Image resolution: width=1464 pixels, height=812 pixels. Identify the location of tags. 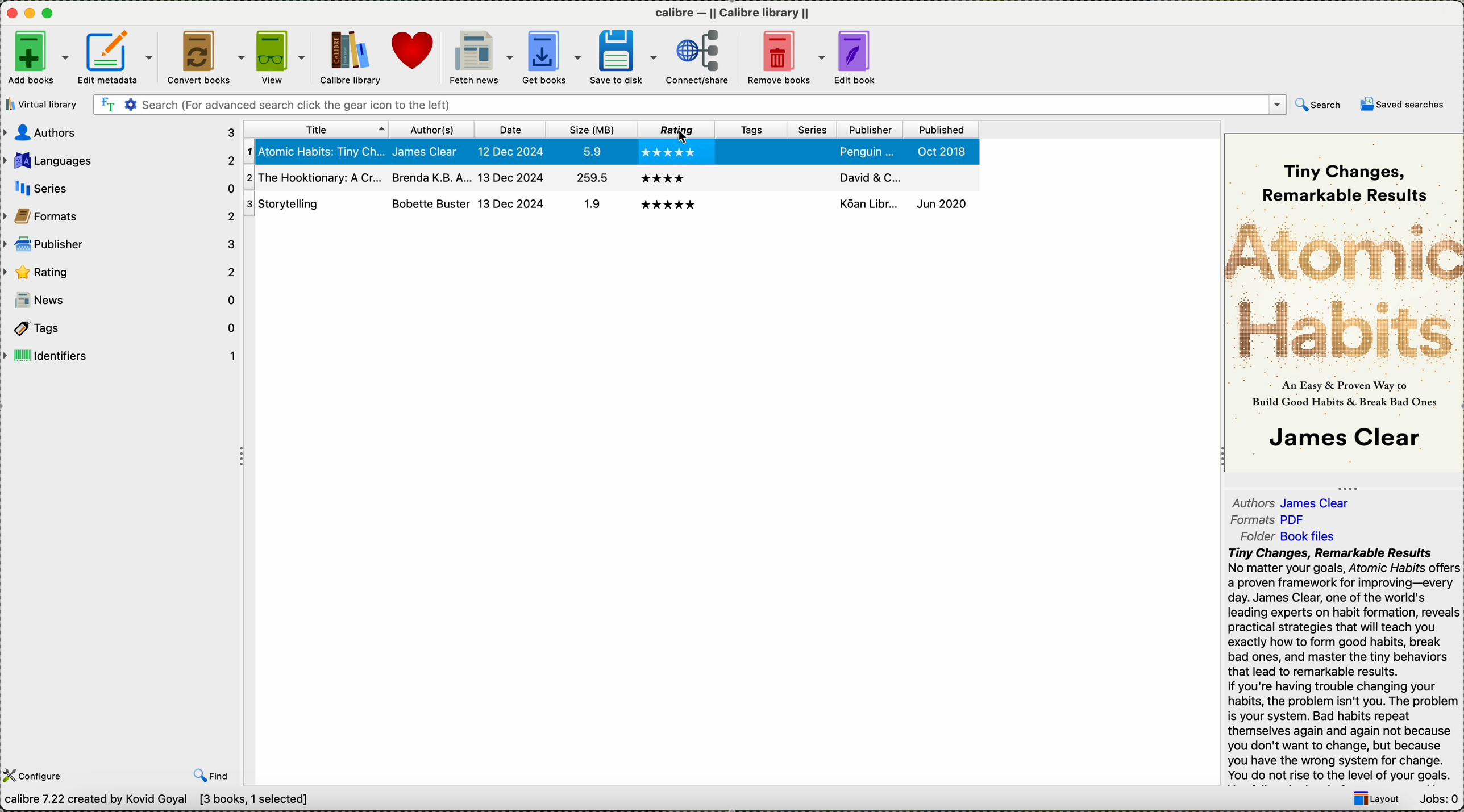
(748, 177).